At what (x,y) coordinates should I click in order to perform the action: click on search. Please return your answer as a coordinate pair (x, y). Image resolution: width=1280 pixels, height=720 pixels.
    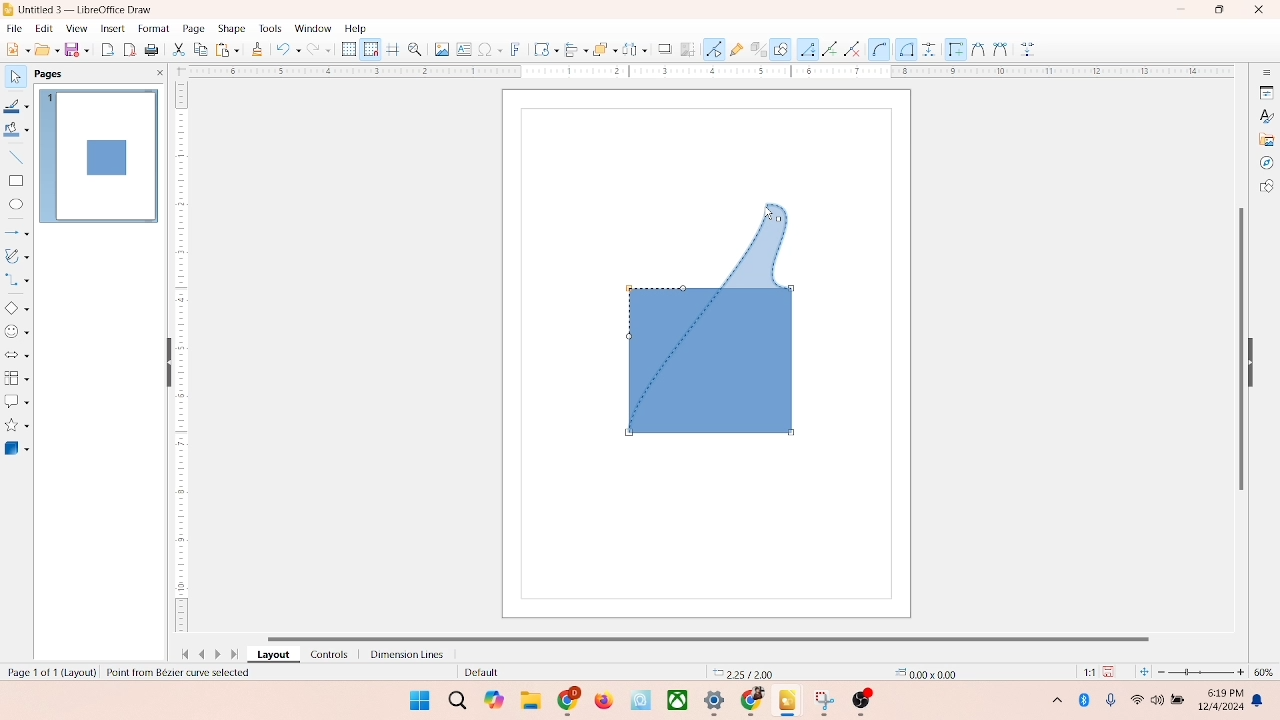
    Looking at the image, I should click on (458, 701).